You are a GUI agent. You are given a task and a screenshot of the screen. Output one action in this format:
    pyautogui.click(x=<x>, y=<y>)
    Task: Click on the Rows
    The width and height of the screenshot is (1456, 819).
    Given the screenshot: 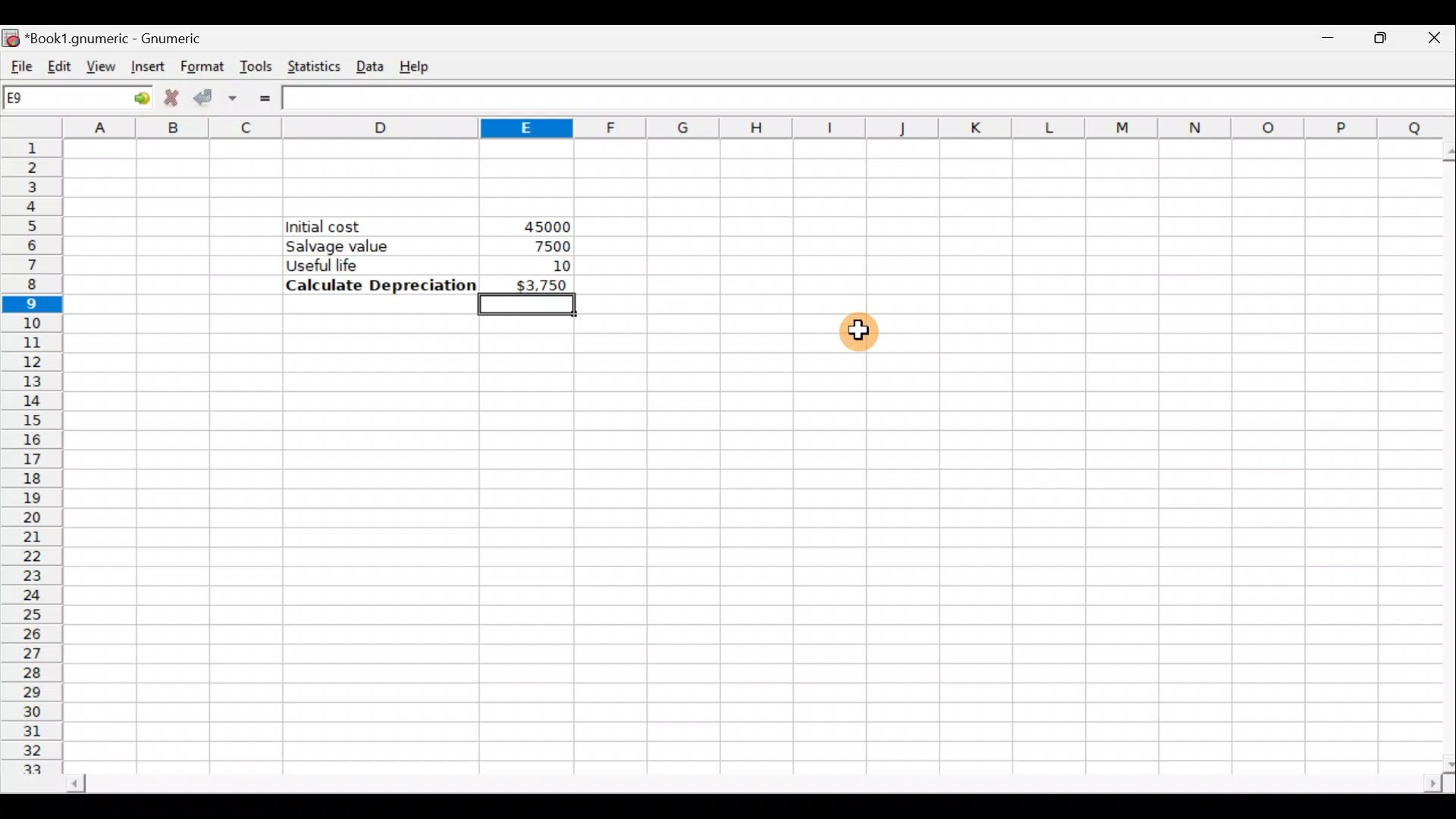 What is the action you would take?
    pyautogui.click(x=36, y=458)
    